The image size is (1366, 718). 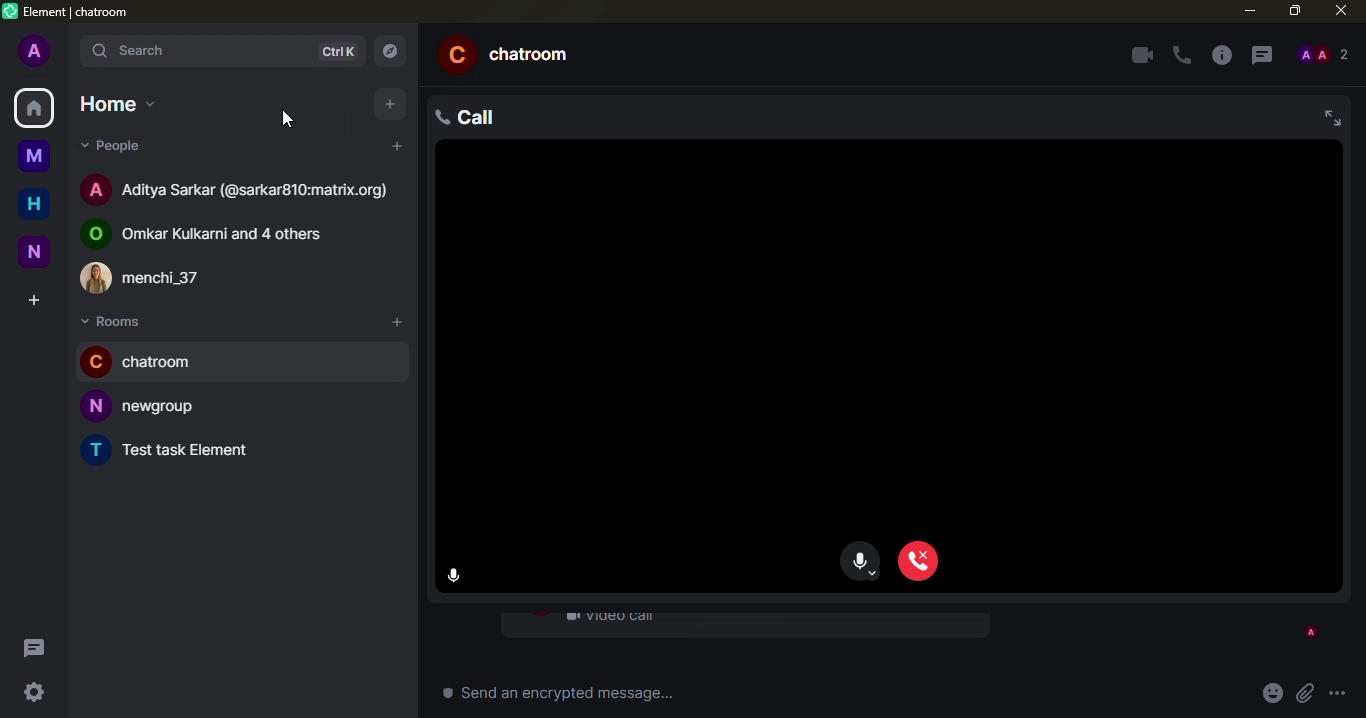 I want to click on info, so click(x=1222, y=56).